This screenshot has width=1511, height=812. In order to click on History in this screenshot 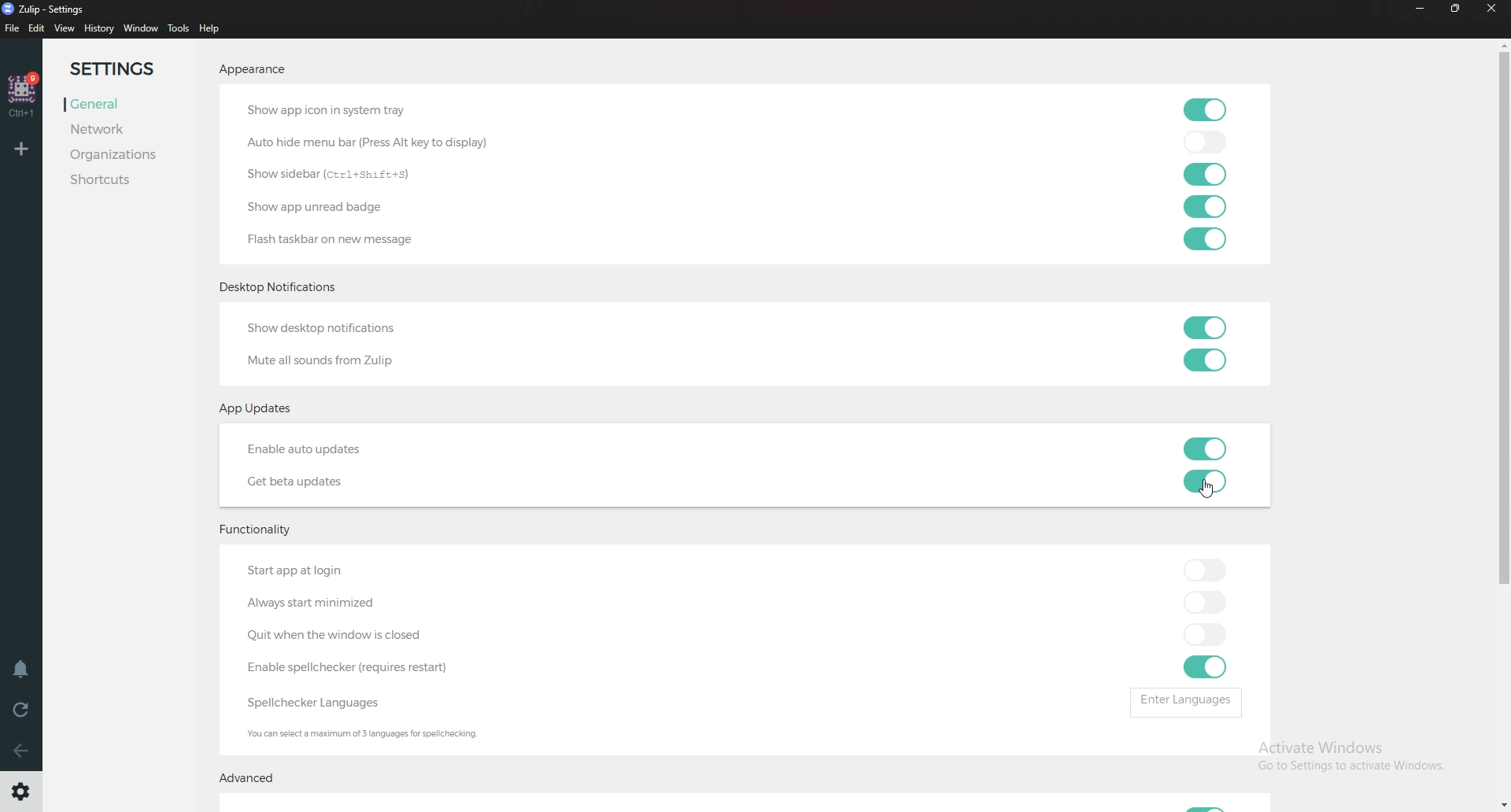, I will do `click(100, 31)`.